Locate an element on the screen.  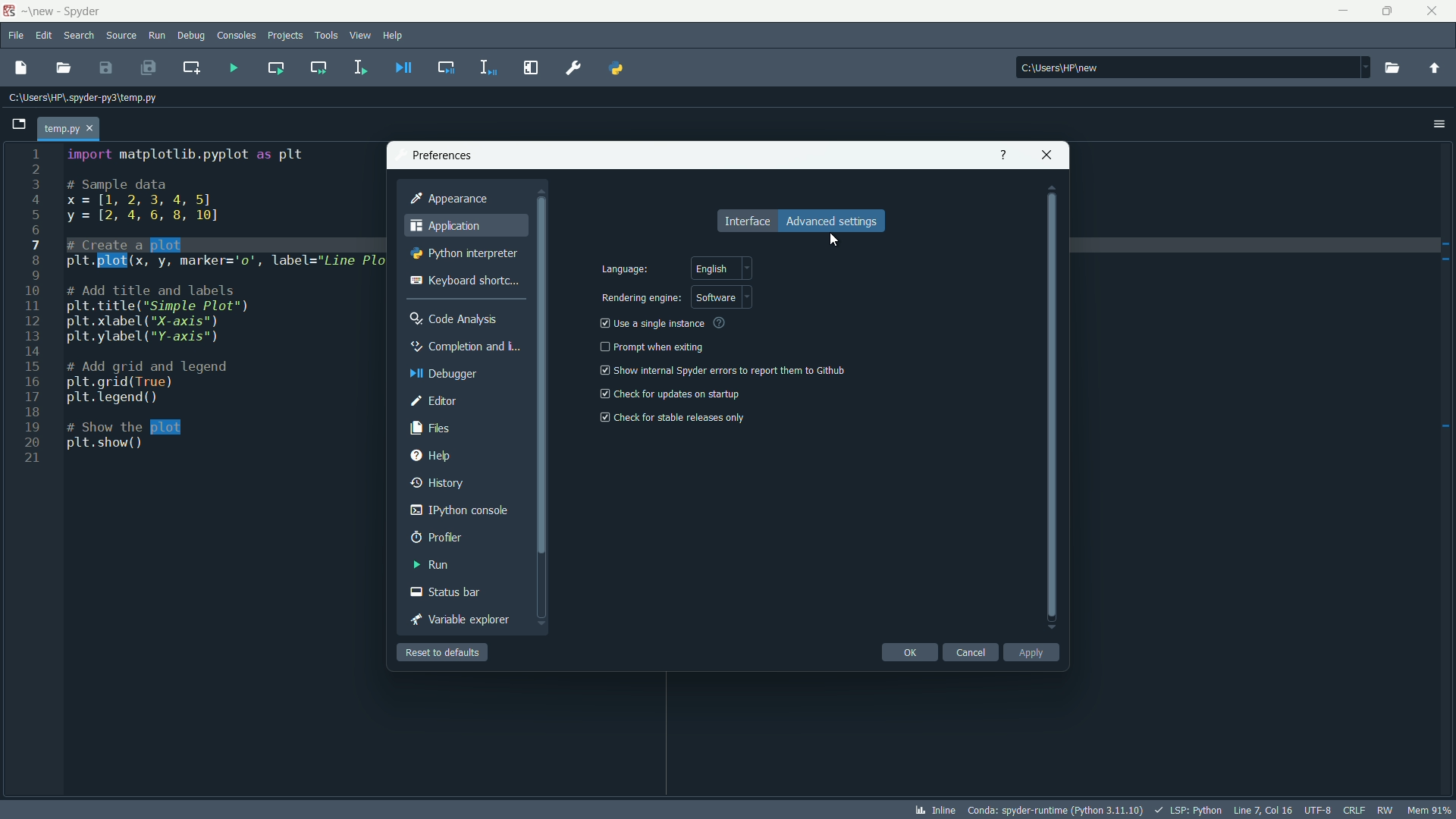
rendering engine is located at coordinates (641, 298).